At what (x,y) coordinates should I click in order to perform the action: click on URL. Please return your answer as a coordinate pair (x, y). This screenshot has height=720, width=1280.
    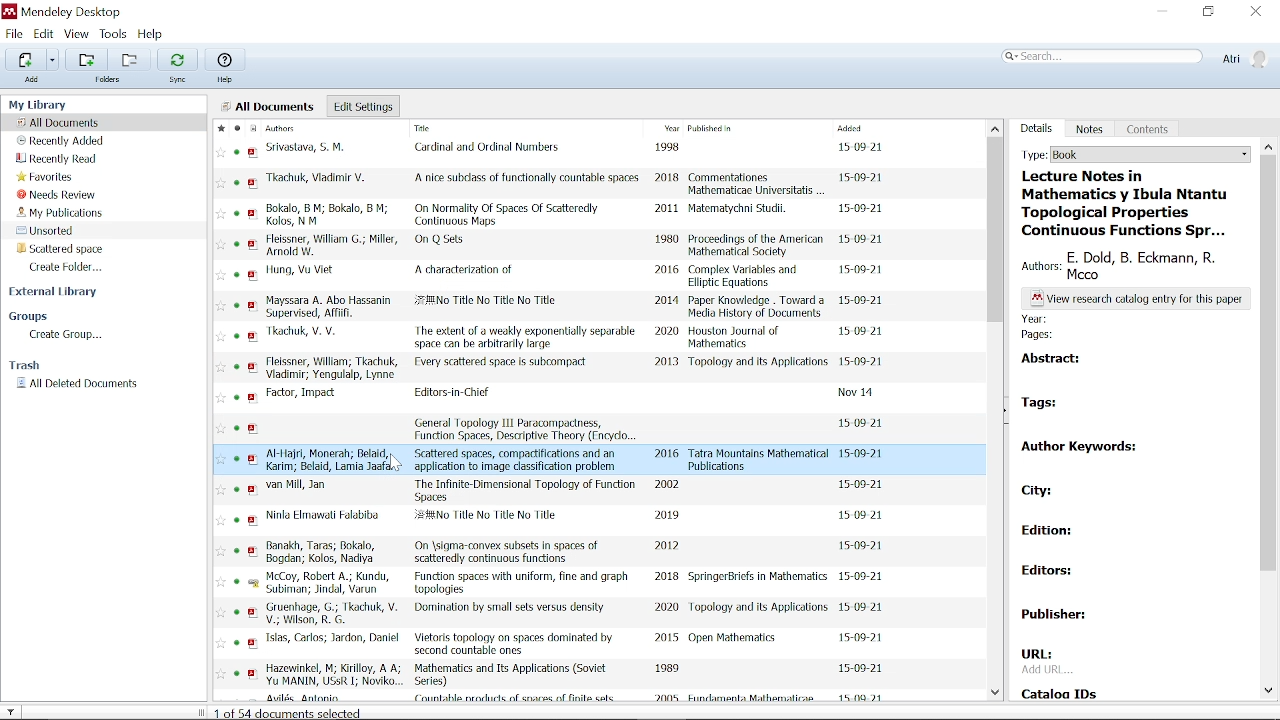
    Looking at the image, I should click on (1044, 661).